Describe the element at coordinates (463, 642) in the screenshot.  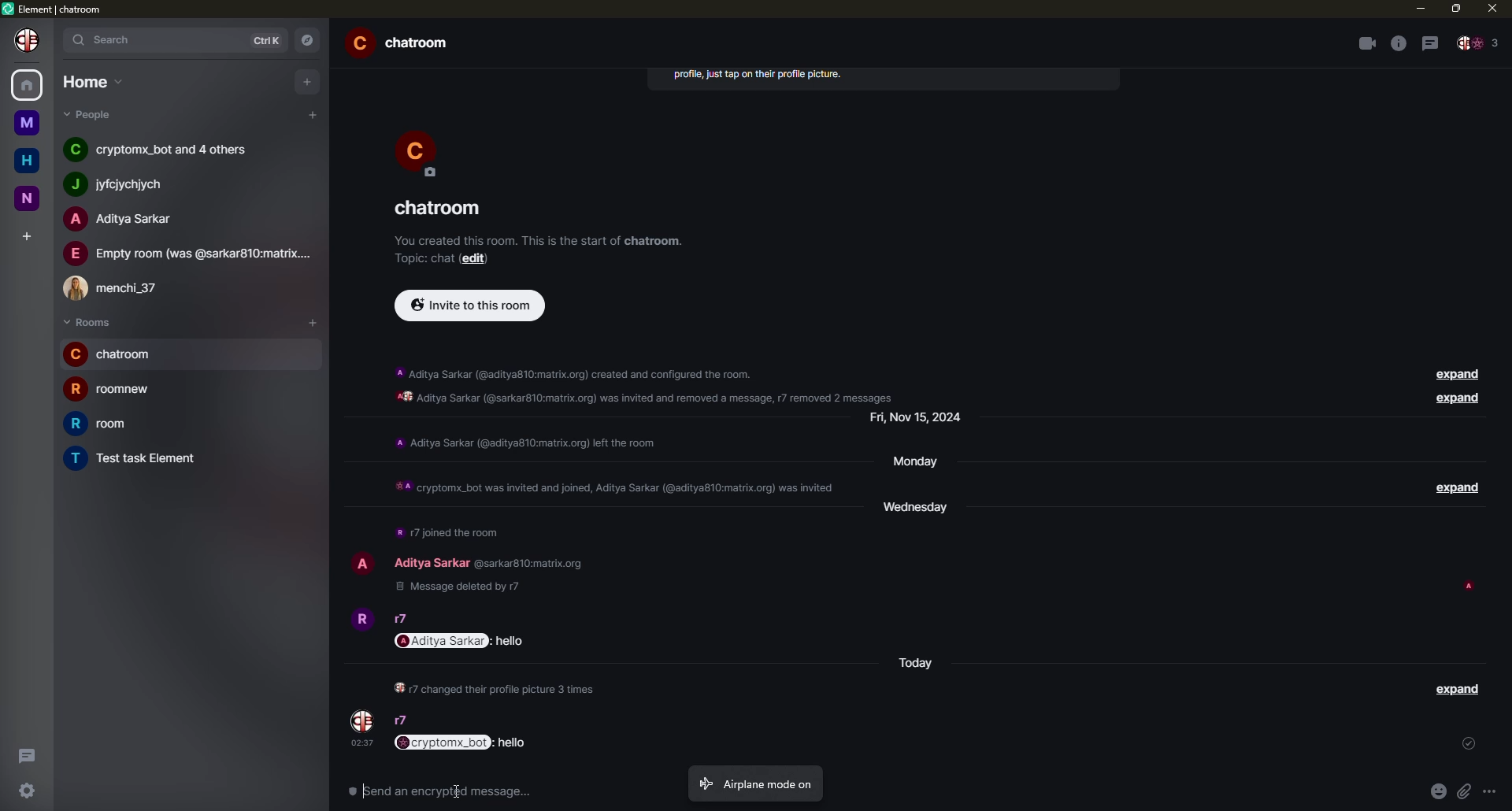
I see `mentioned` at that location.